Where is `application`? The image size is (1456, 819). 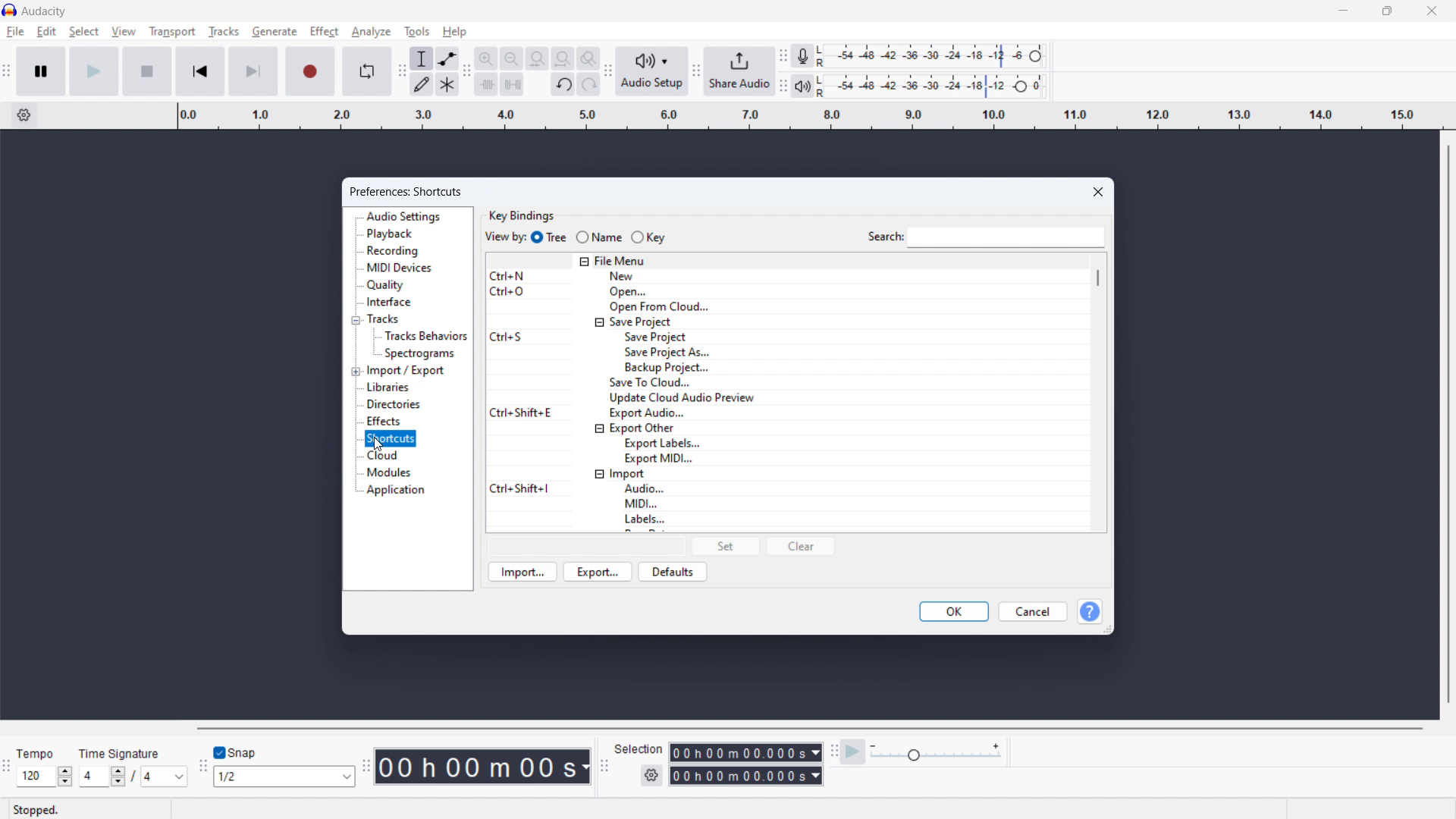
application is located at coordinates (398, 491).